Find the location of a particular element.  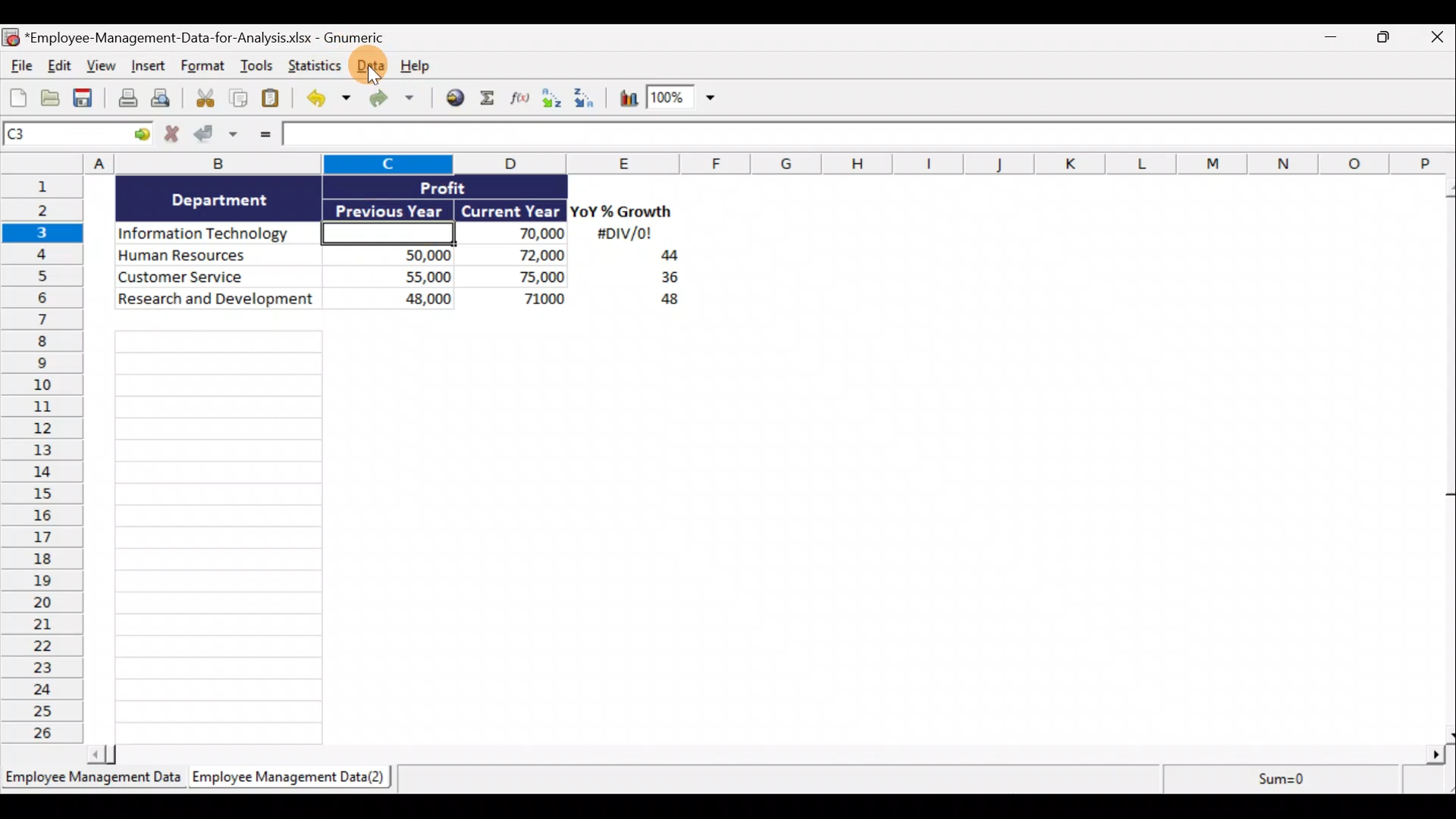

Previous Year is located at coordinates (390, 208).